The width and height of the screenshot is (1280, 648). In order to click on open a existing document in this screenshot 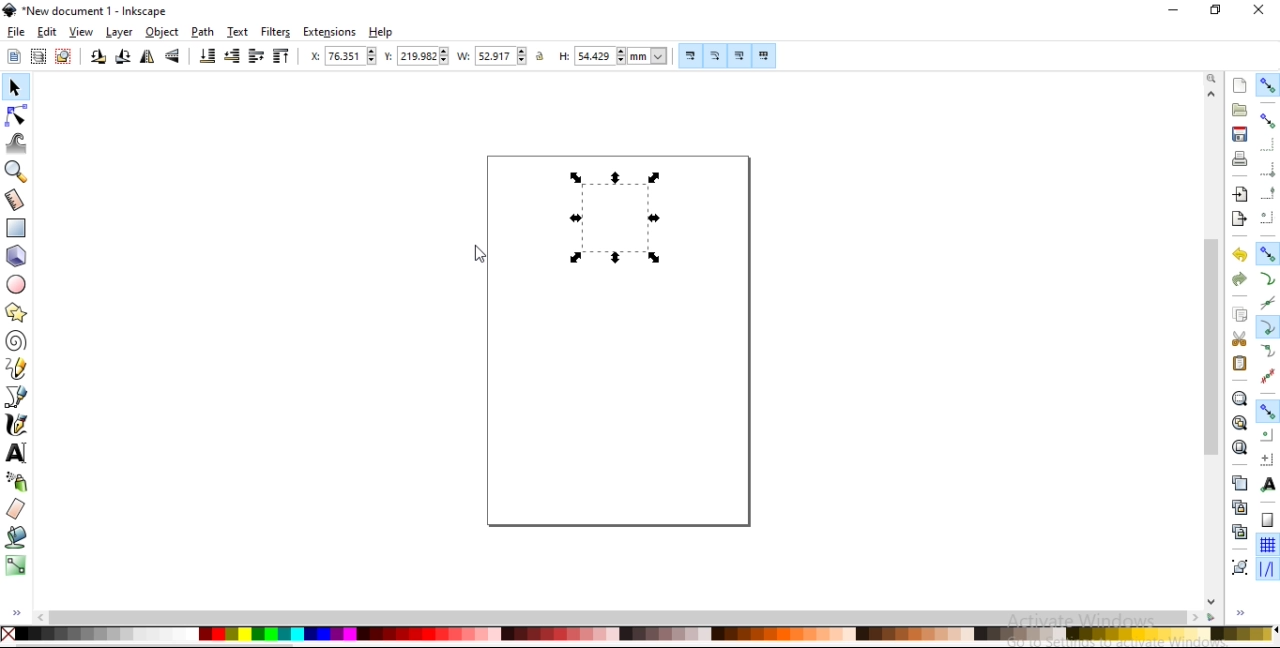, I will do `click(1241, 109)`.